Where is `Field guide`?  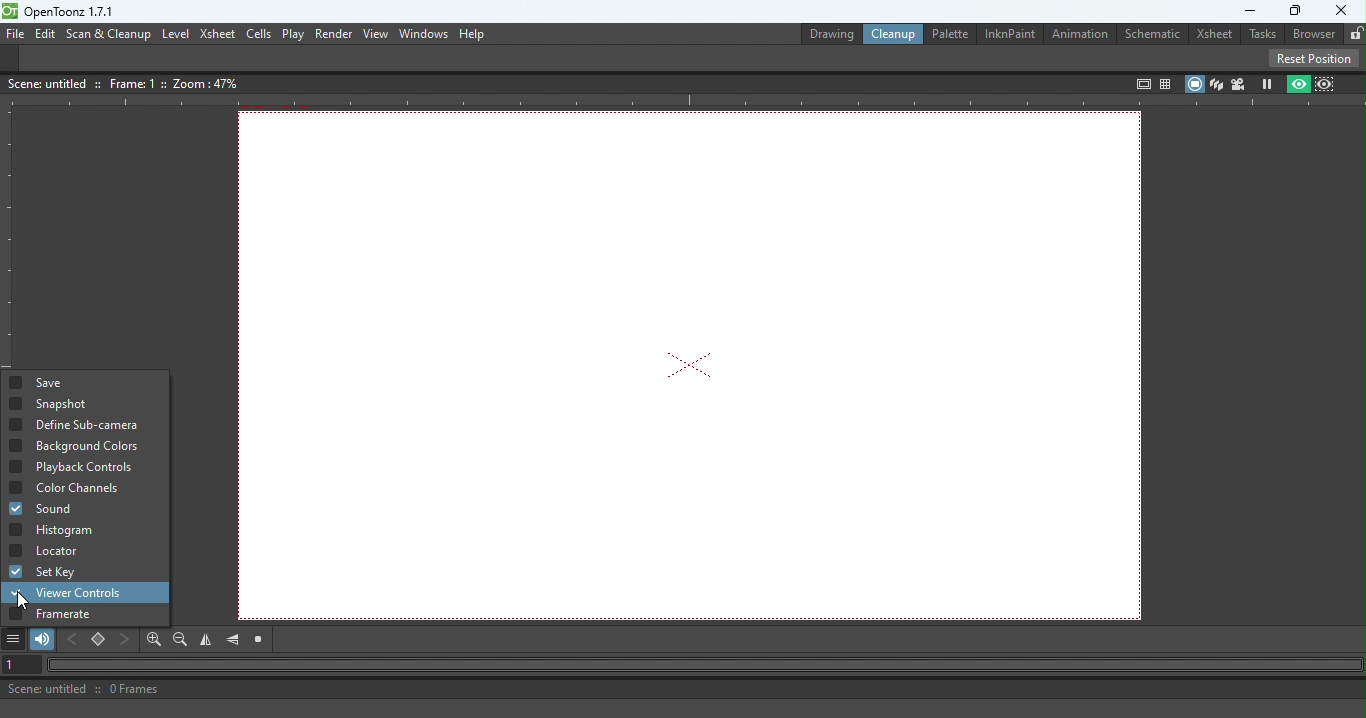 Field guide is located at coordinates (1168, 80).